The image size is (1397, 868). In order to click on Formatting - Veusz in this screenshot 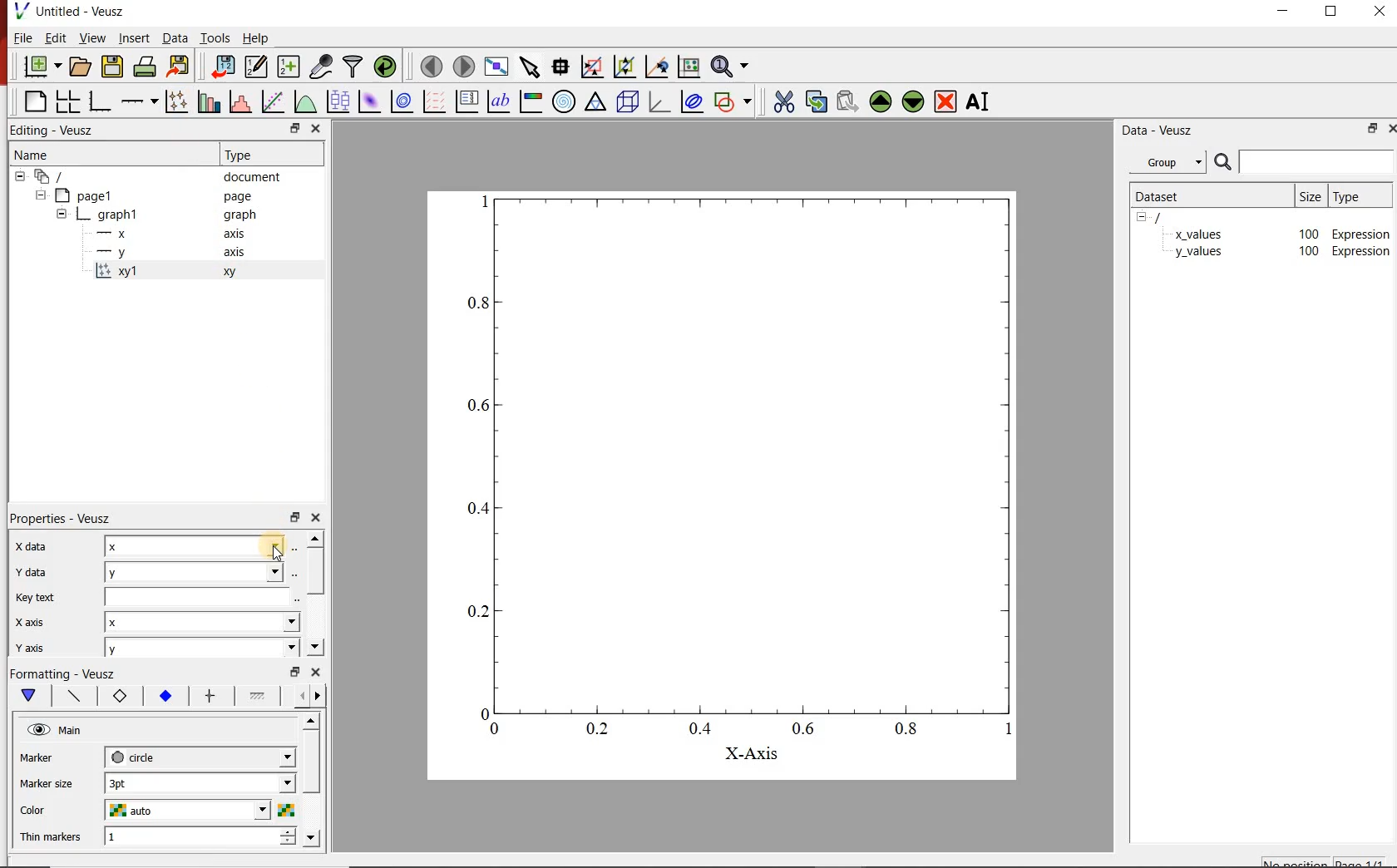, I will do `click(67, 673)`.